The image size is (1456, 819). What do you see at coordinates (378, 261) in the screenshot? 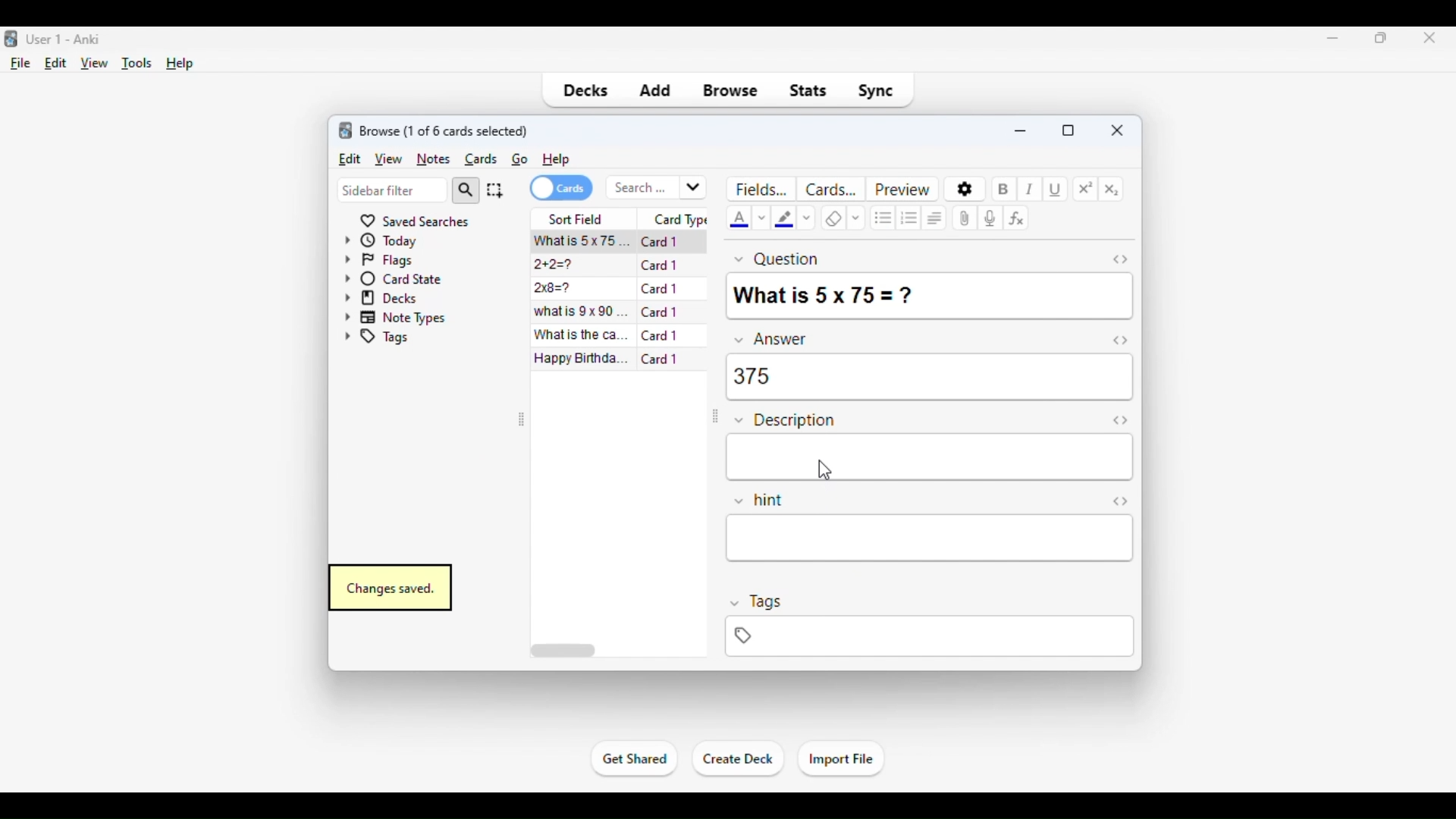
I see `flags` at bounding box center [378, 261].